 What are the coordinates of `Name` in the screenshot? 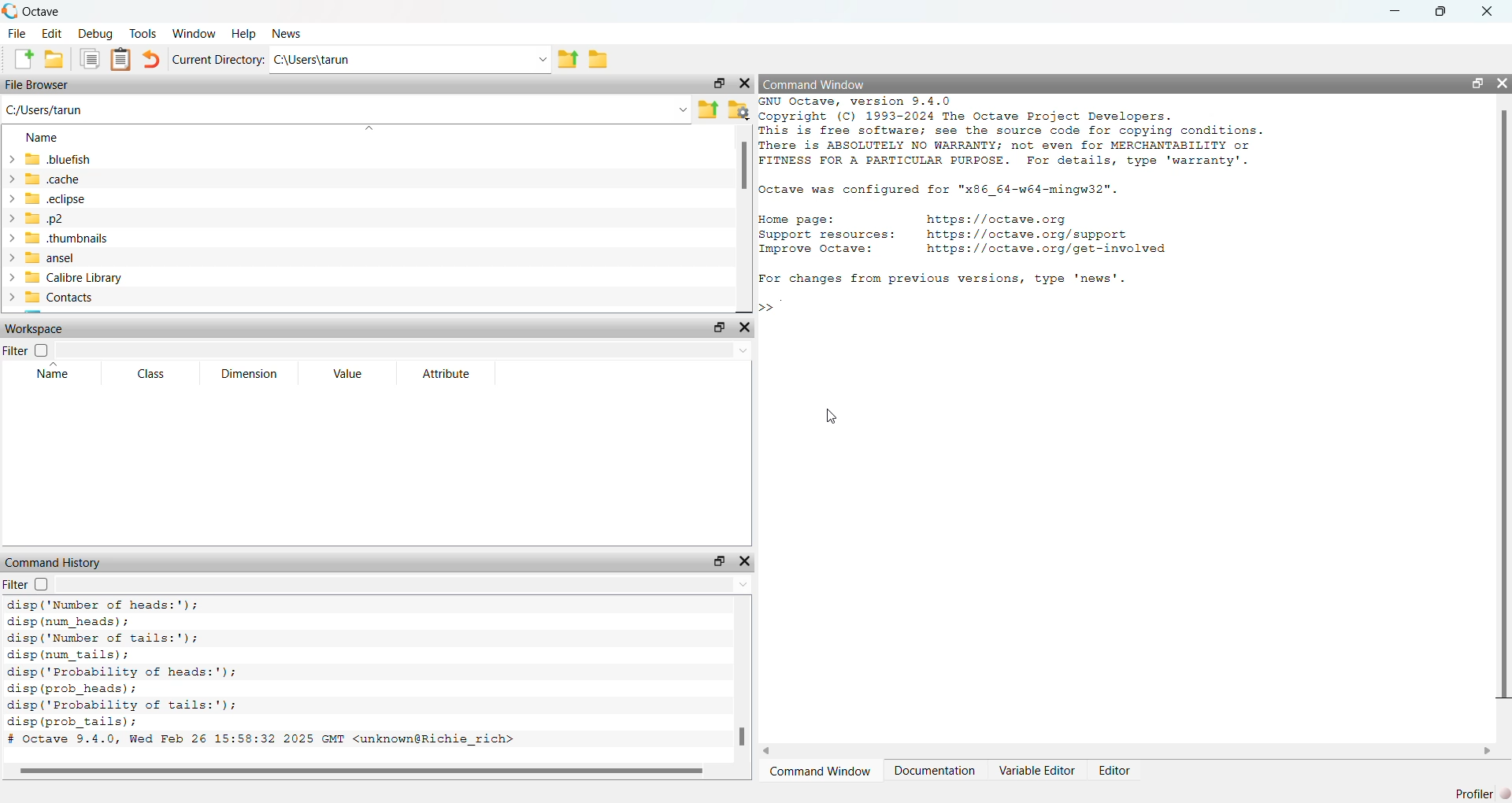 It's located at (43, 136).